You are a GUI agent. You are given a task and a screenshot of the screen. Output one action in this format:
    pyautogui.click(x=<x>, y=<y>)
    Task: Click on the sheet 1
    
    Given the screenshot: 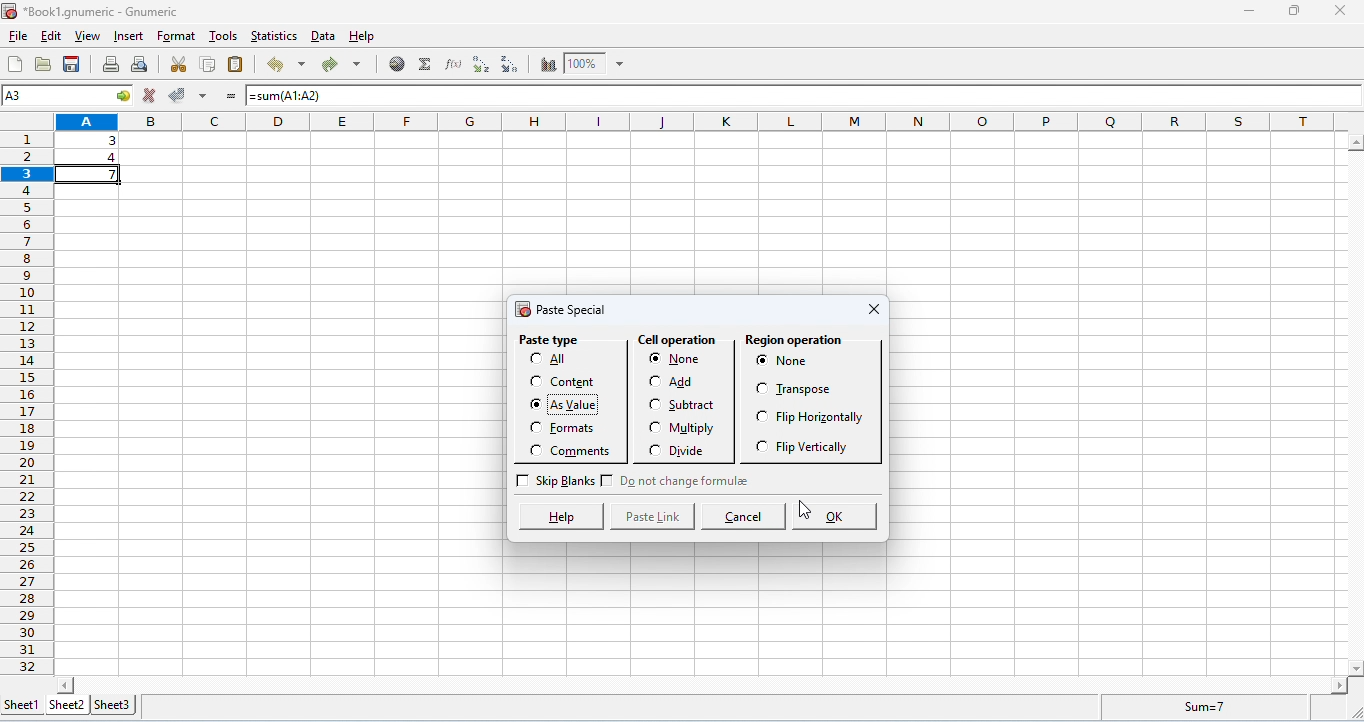 What is the action you would take?
    pyautogui.click(x=20, y=703)
    